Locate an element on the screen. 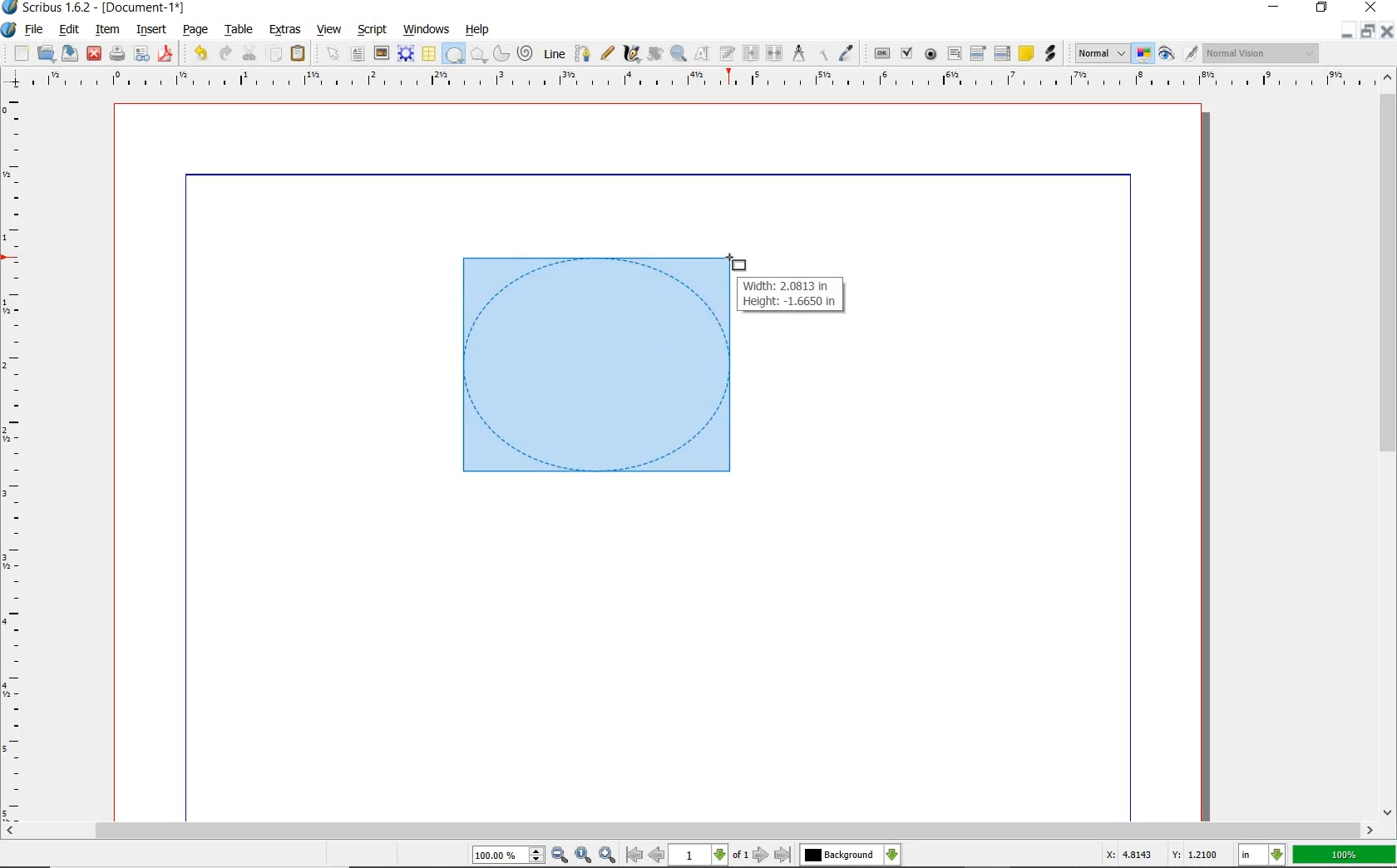 This screenshot has width=1397, height=868. PASTE is located at coordinates (298, 55).